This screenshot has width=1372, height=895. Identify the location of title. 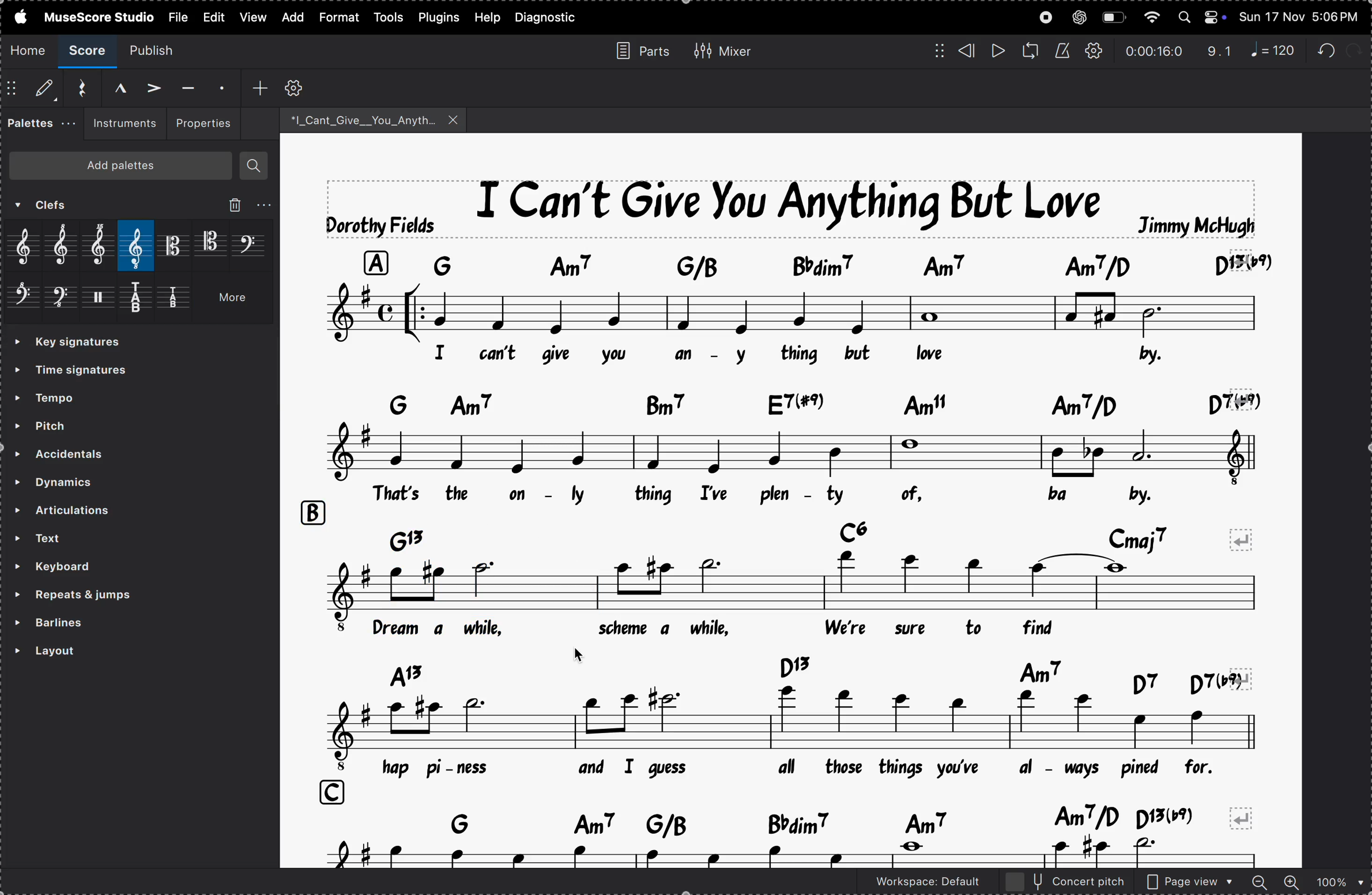
(793, 207).